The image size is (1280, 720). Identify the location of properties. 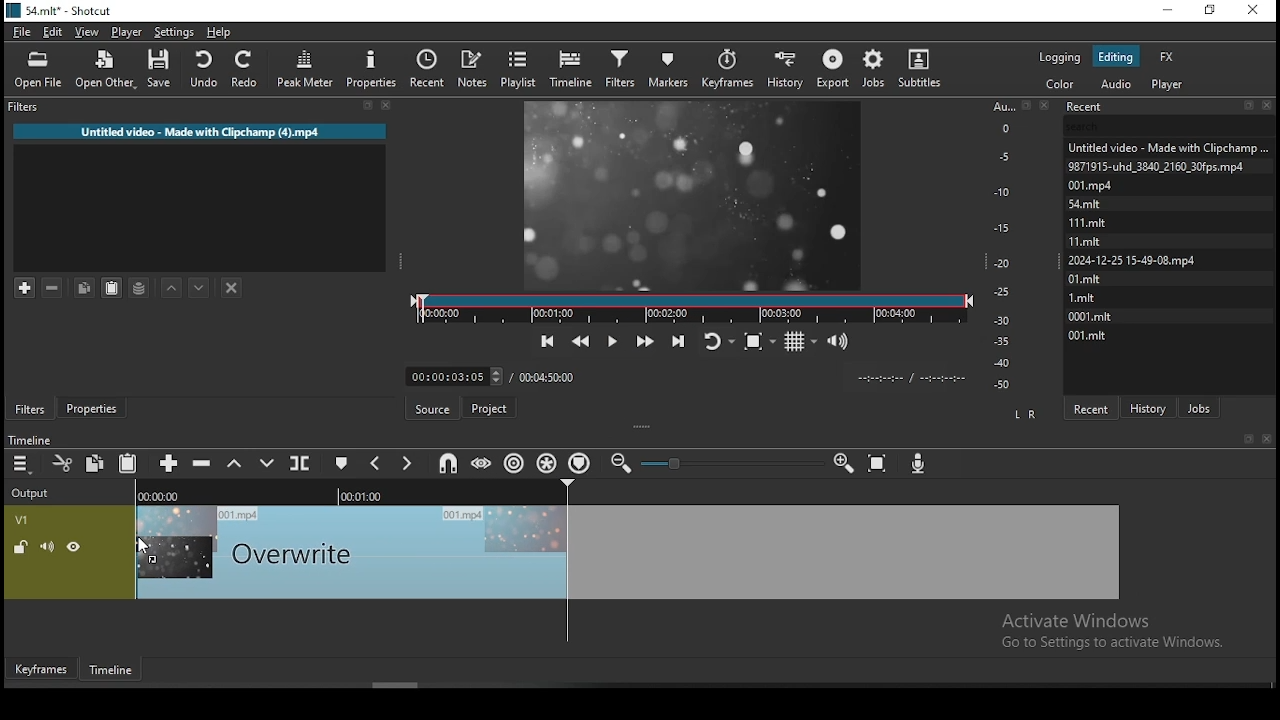
(375, 71).